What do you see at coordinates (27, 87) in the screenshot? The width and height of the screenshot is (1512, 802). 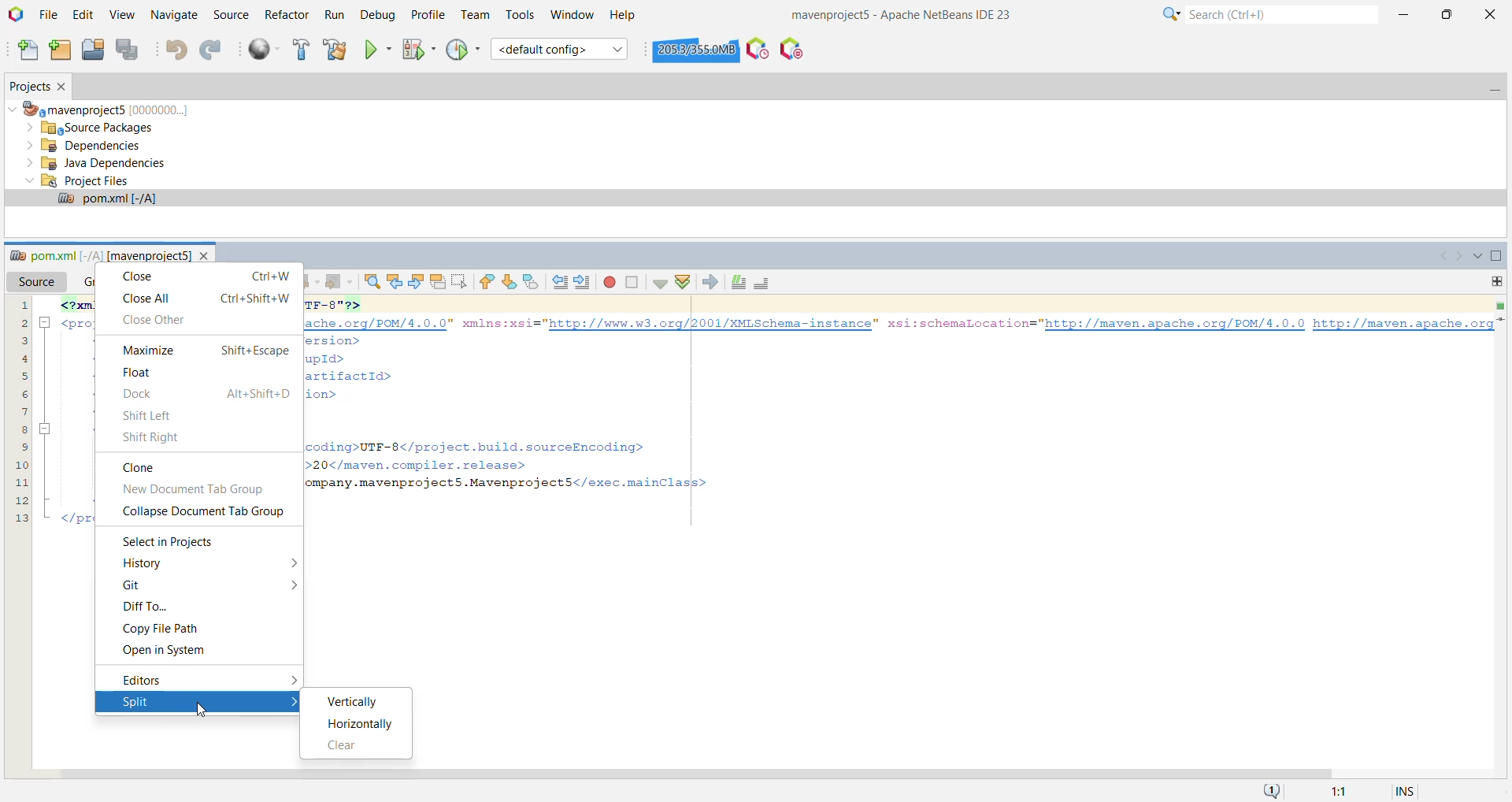 I see `Projects Window` at bounding box center [27, 87].